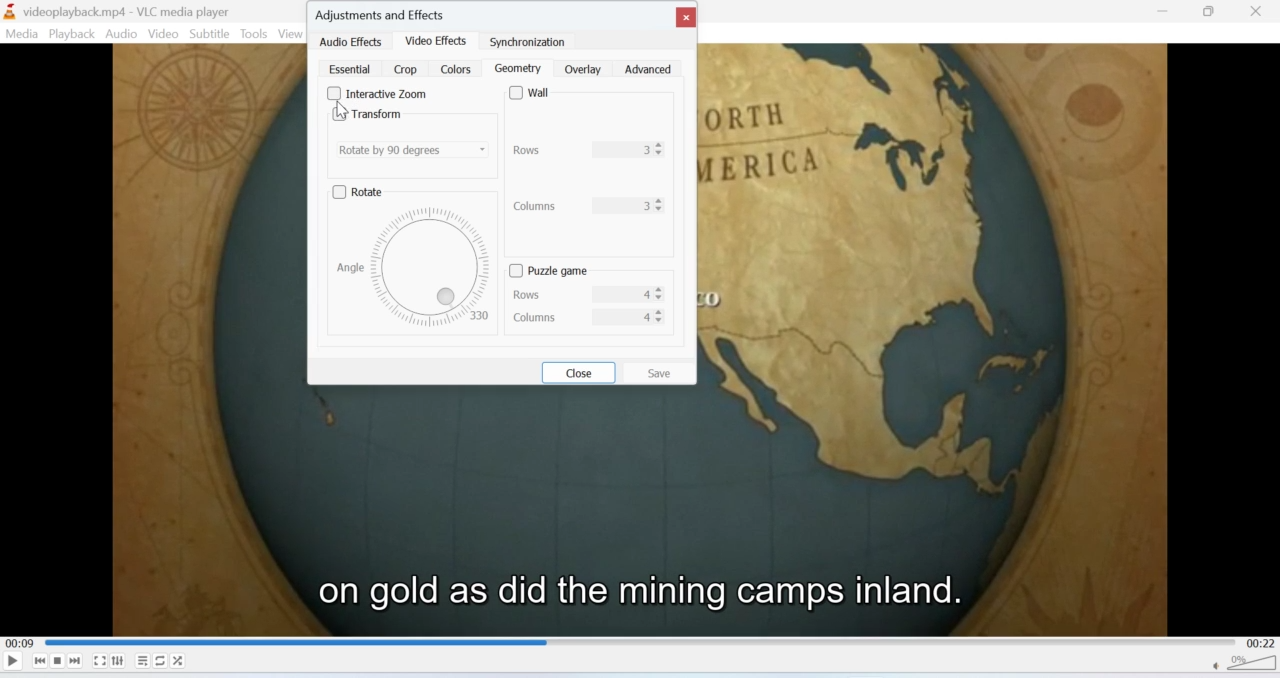 This screenshot has height=678, width=1280. Describe the element at coordinates (660, 373) in the screenshot. I see `save` at that location.